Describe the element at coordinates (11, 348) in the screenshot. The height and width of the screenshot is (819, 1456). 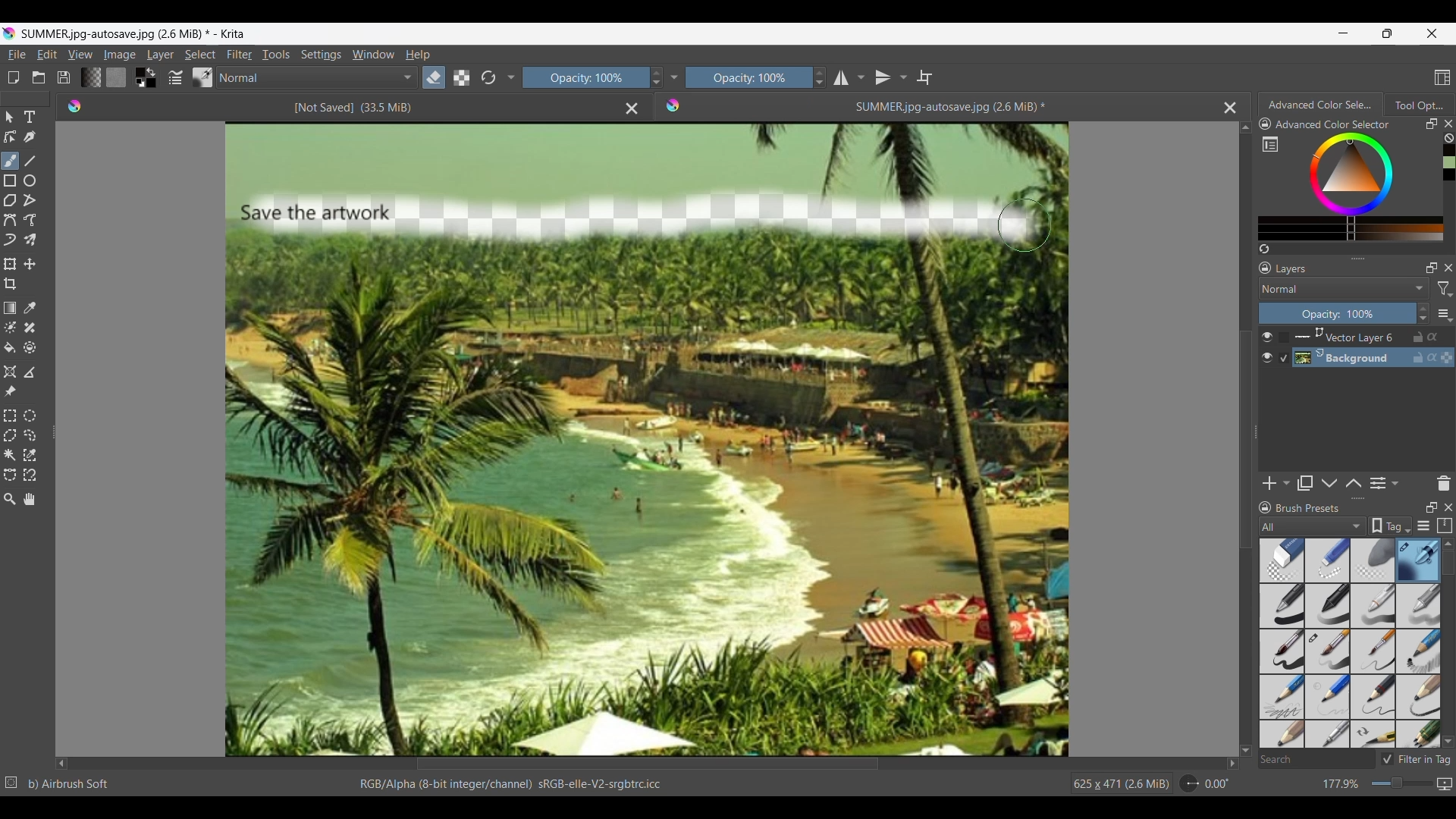
I see `Fill tool` at that location.